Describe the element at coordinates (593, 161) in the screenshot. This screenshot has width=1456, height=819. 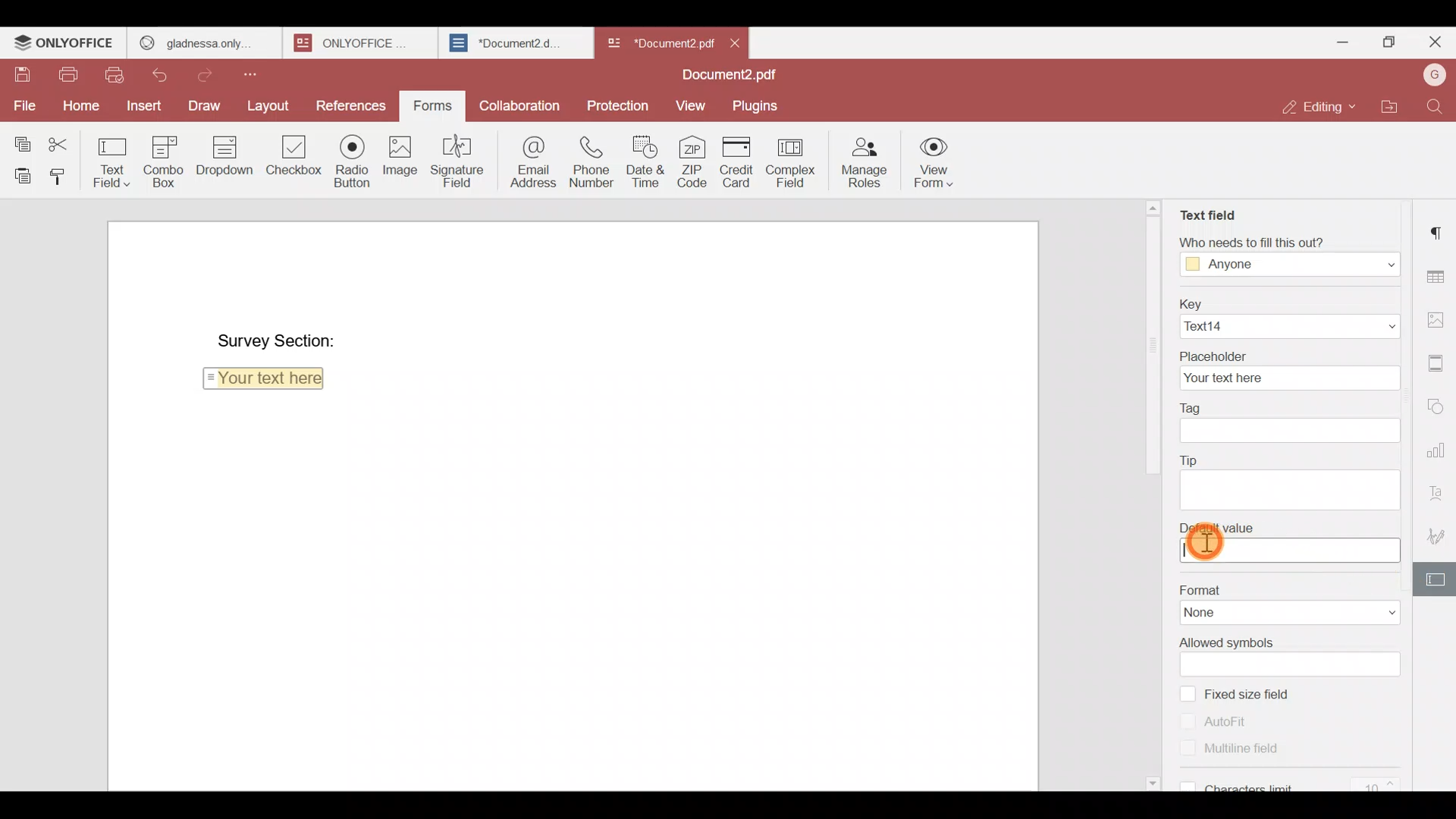
I see `Phone number` at that location.